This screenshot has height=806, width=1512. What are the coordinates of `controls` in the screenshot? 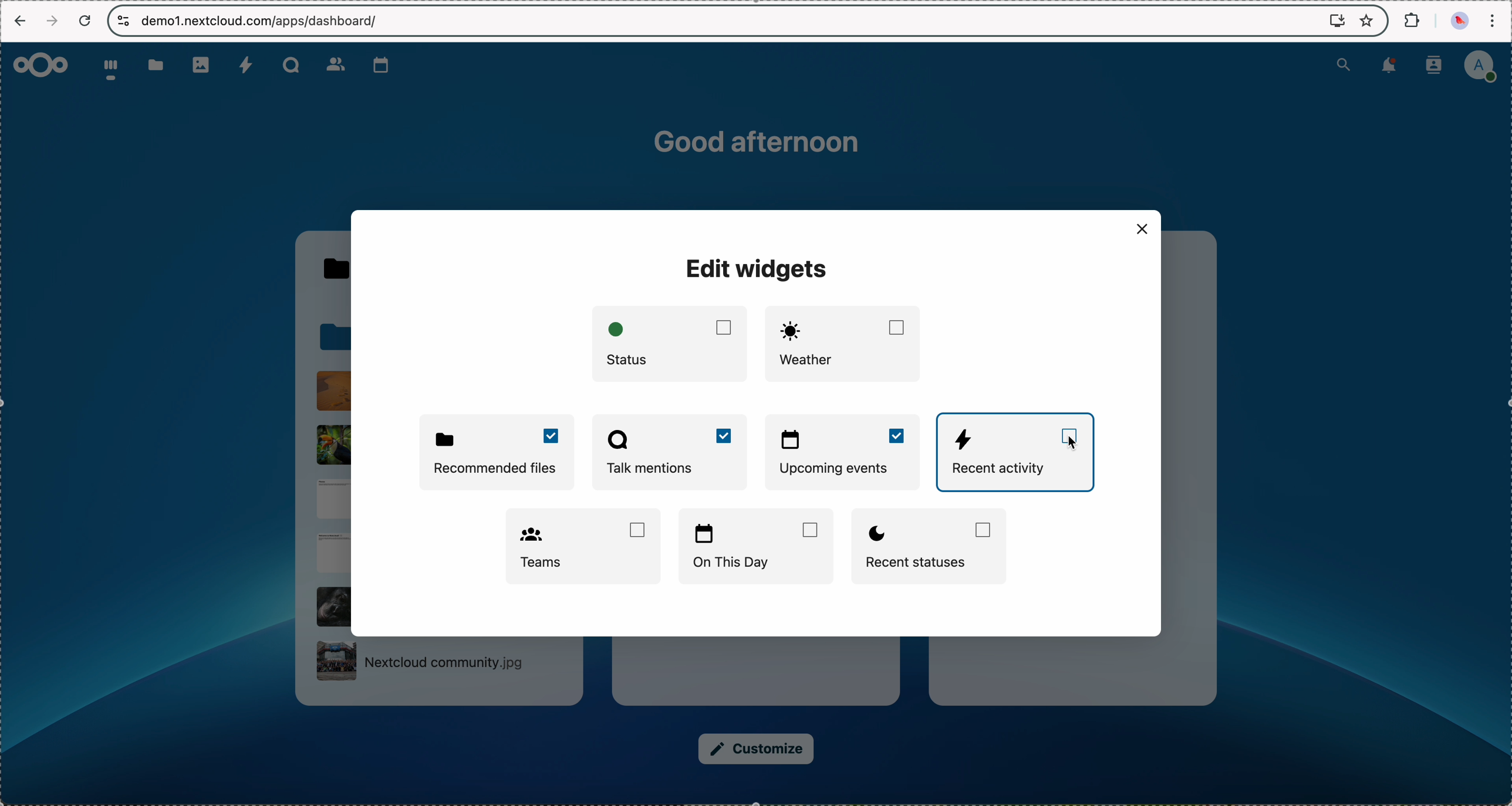 It's located at (121, 21).